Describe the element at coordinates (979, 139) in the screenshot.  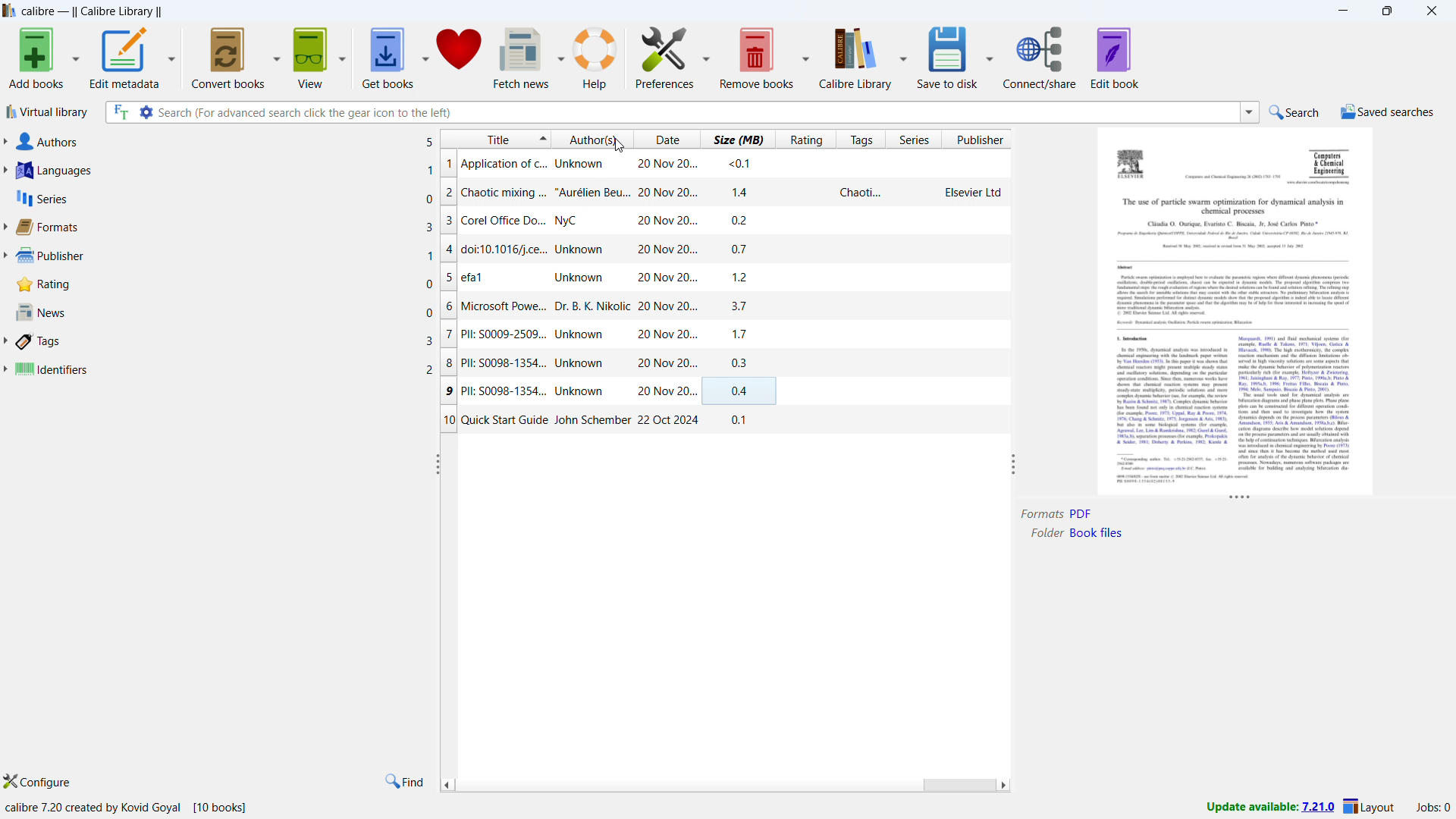
I see `sort by publisher` at that location.